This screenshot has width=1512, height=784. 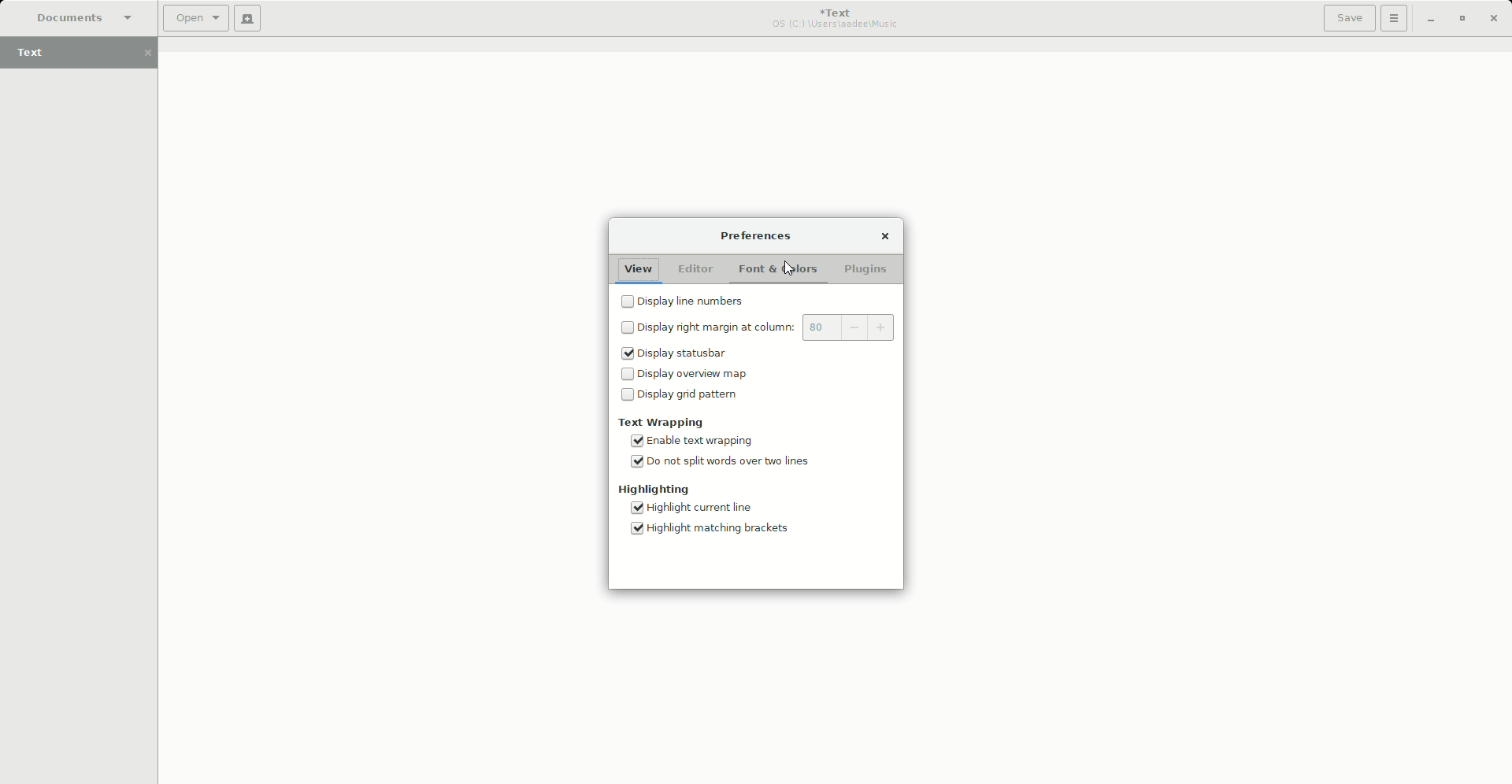 I want to click on Minimize, so click(x=1430, y=18).